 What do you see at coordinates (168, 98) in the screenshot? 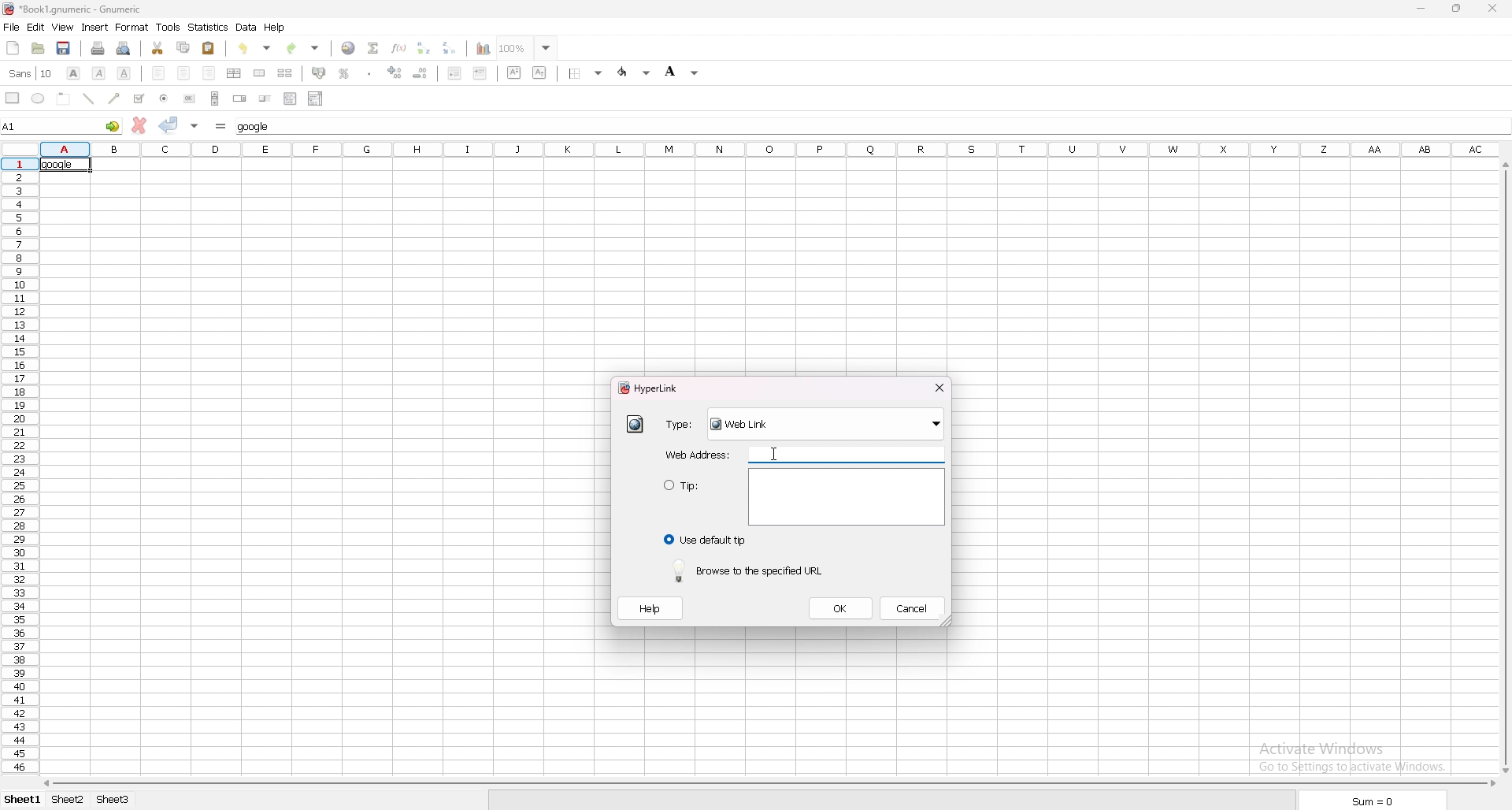
I see `radio button` at bounding box center [168, 98].